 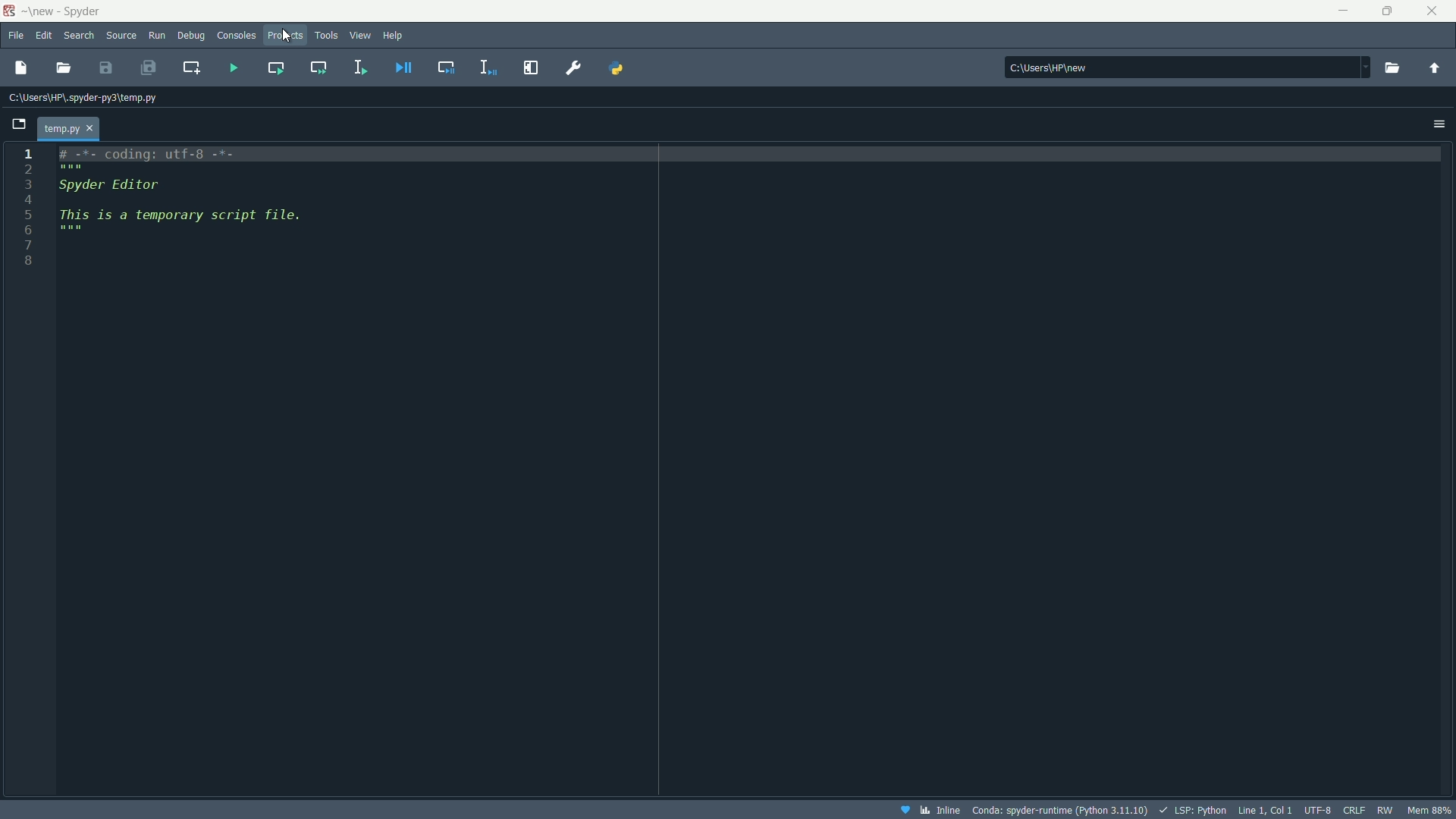 What do you see at coordinates (491, 67) in the screenshot?
I see `Debug selection` at bounding box center [491, 67].